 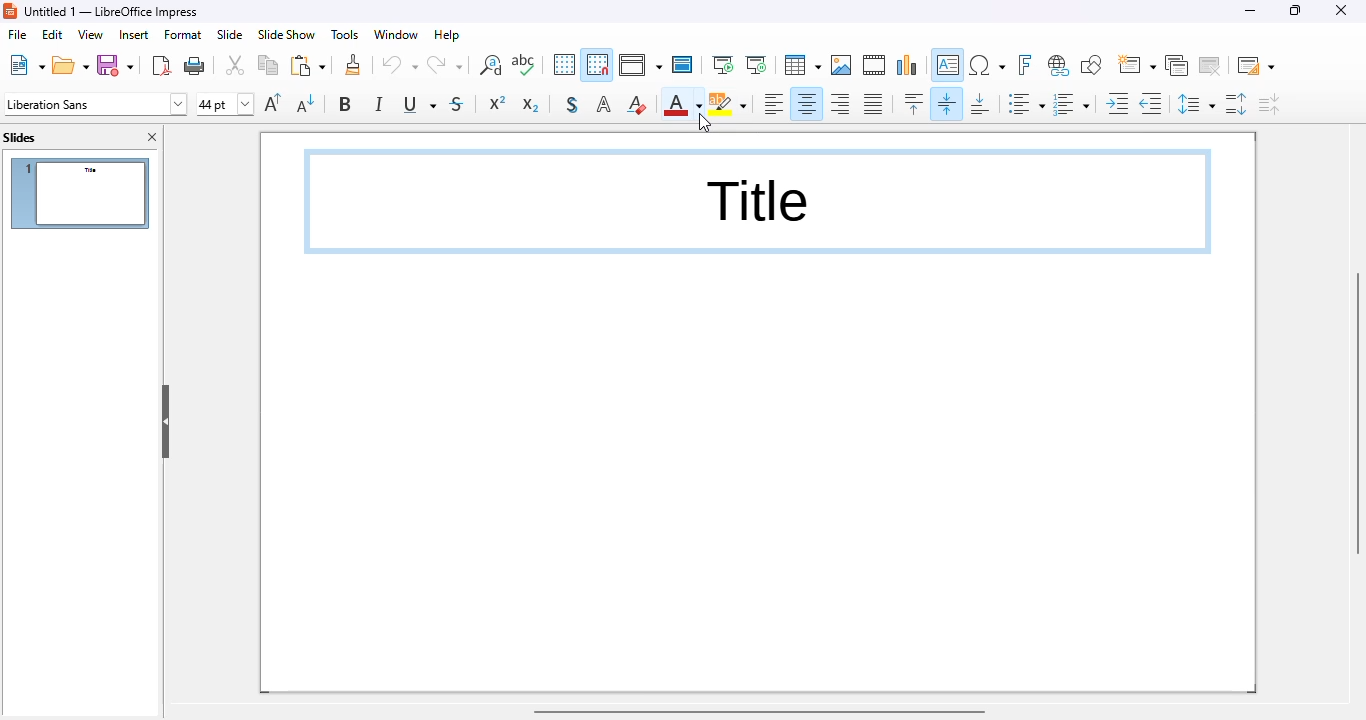 What do you see at coordinates (987, 65) in the screenshot?
I see `insert special characters` at bounding box center [987, 65].